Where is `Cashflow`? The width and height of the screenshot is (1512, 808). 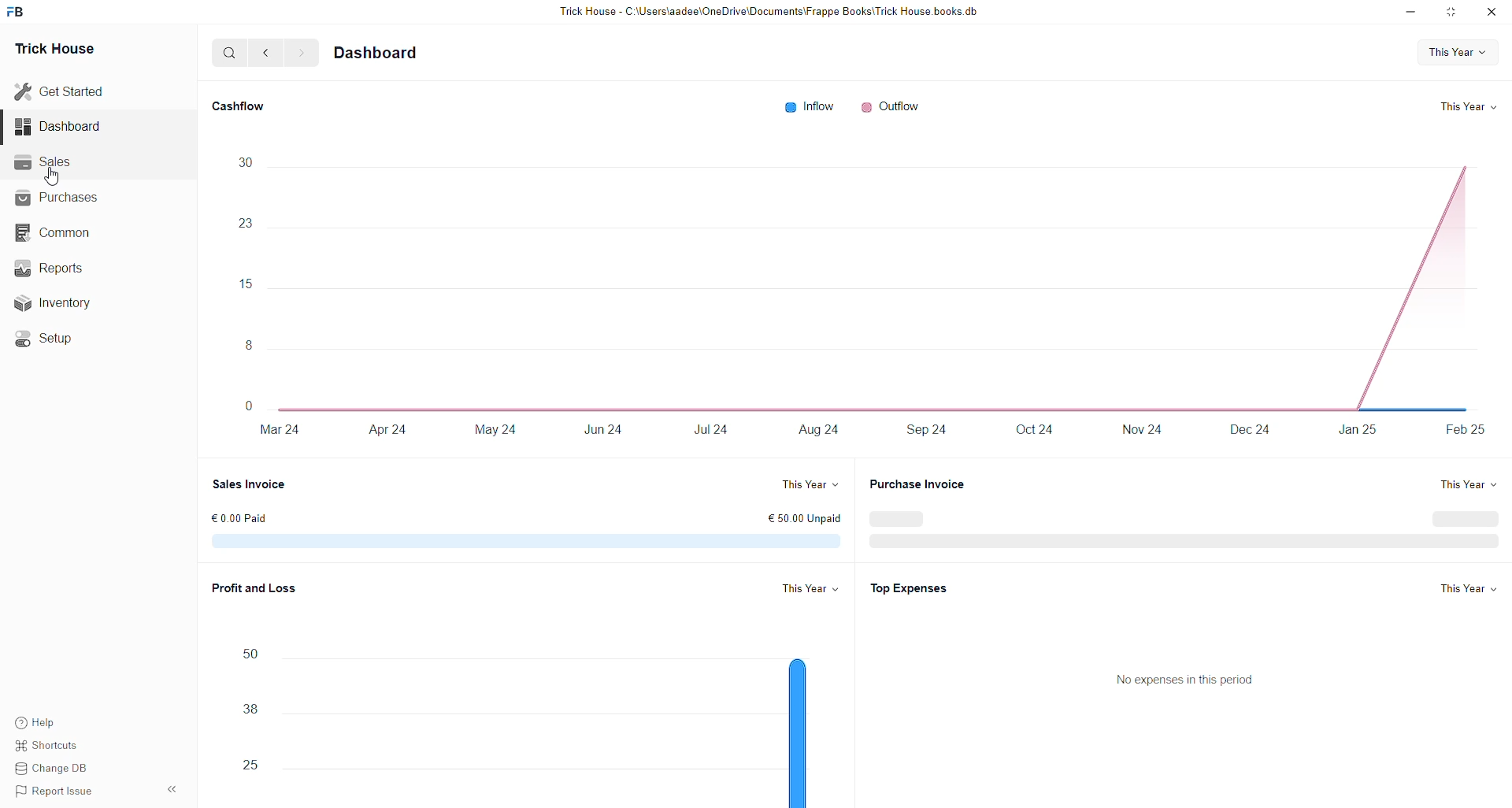 Cashflow is located at coordinates (238, 106).